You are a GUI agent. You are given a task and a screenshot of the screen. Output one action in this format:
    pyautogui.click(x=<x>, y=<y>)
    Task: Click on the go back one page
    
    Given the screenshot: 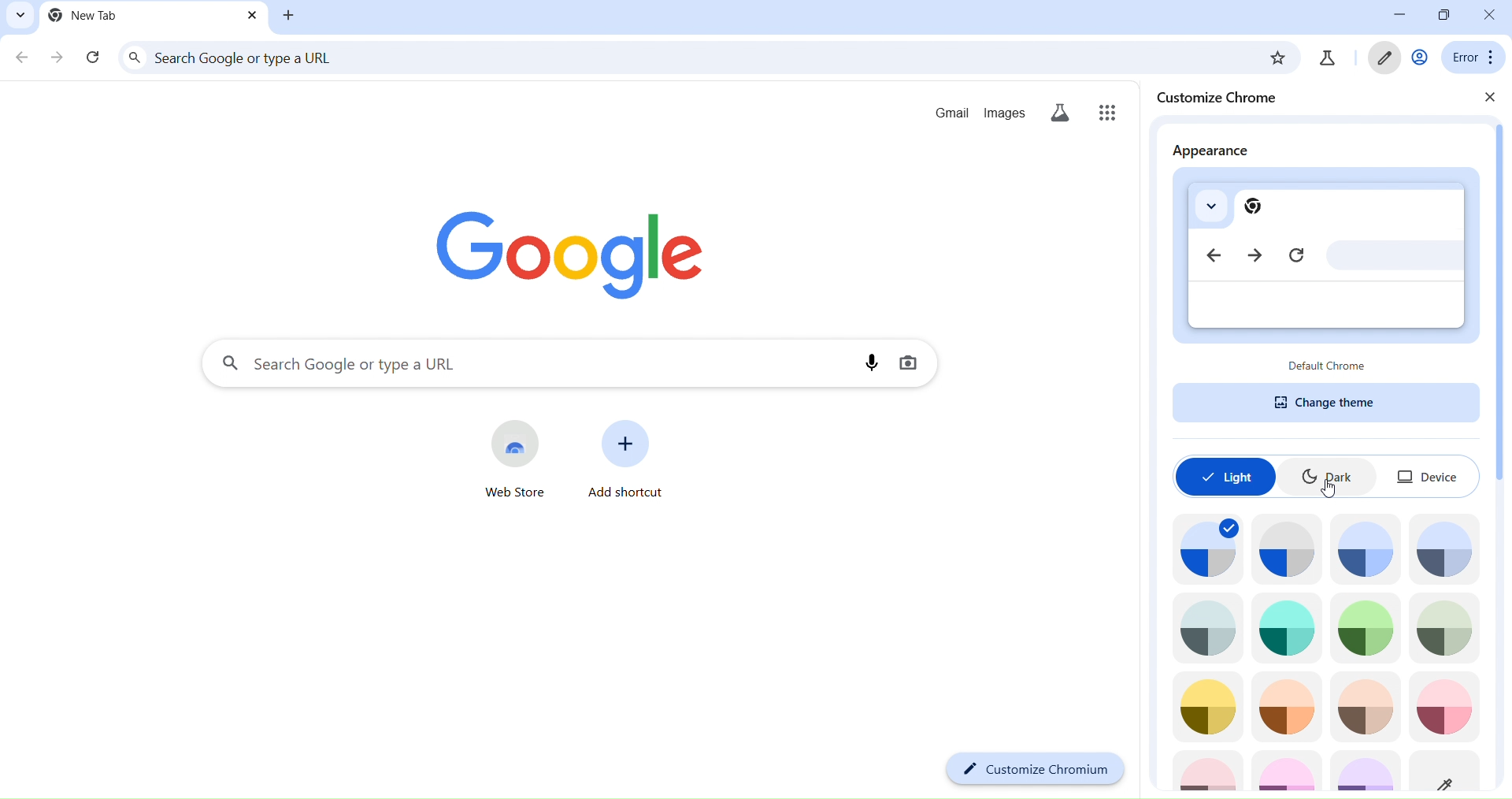 What is the action you would take?
    pyautogui.click(x=22, y=58)
    